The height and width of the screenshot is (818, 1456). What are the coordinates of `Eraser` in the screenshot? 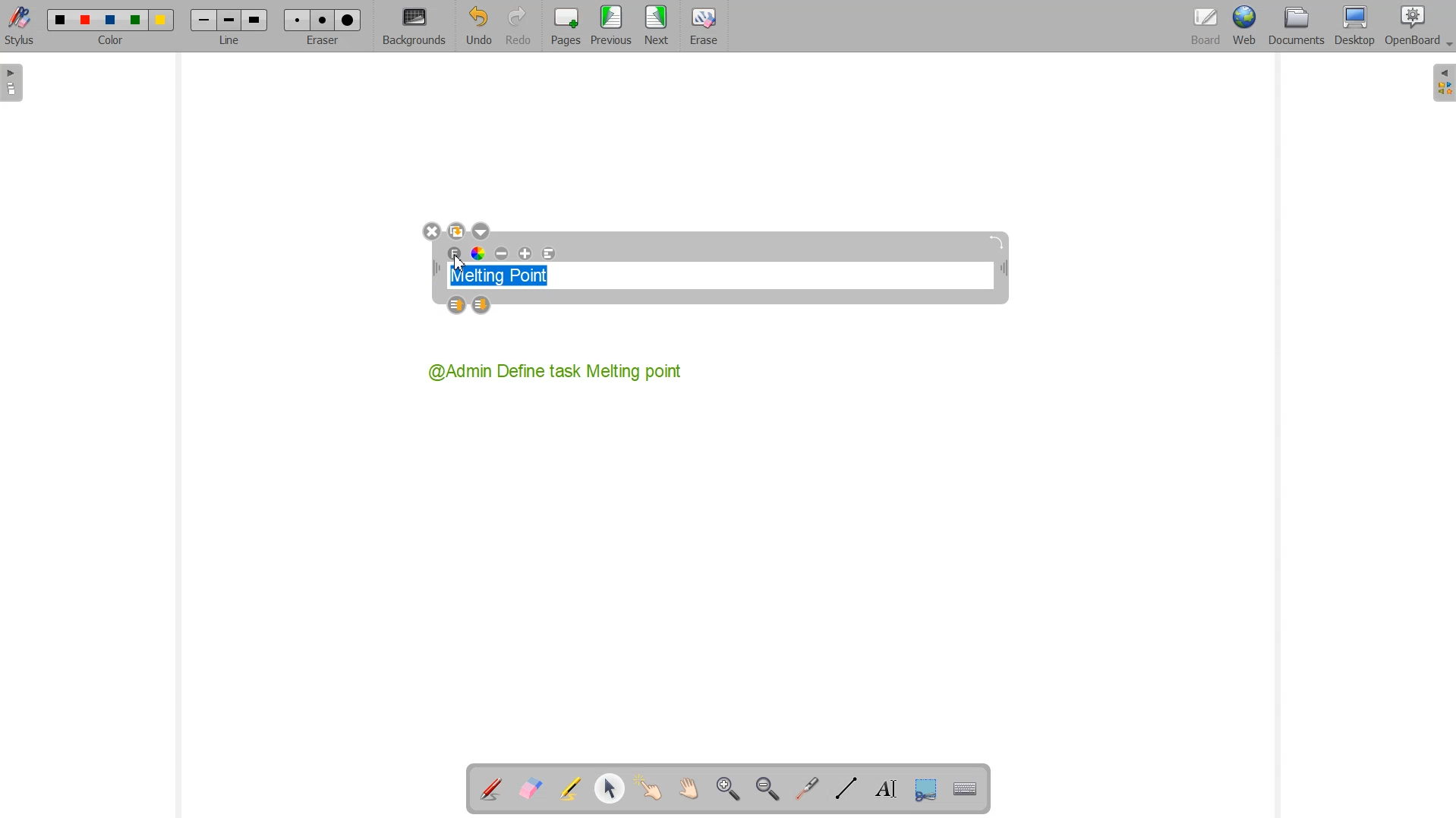 It's located at (320, 26).